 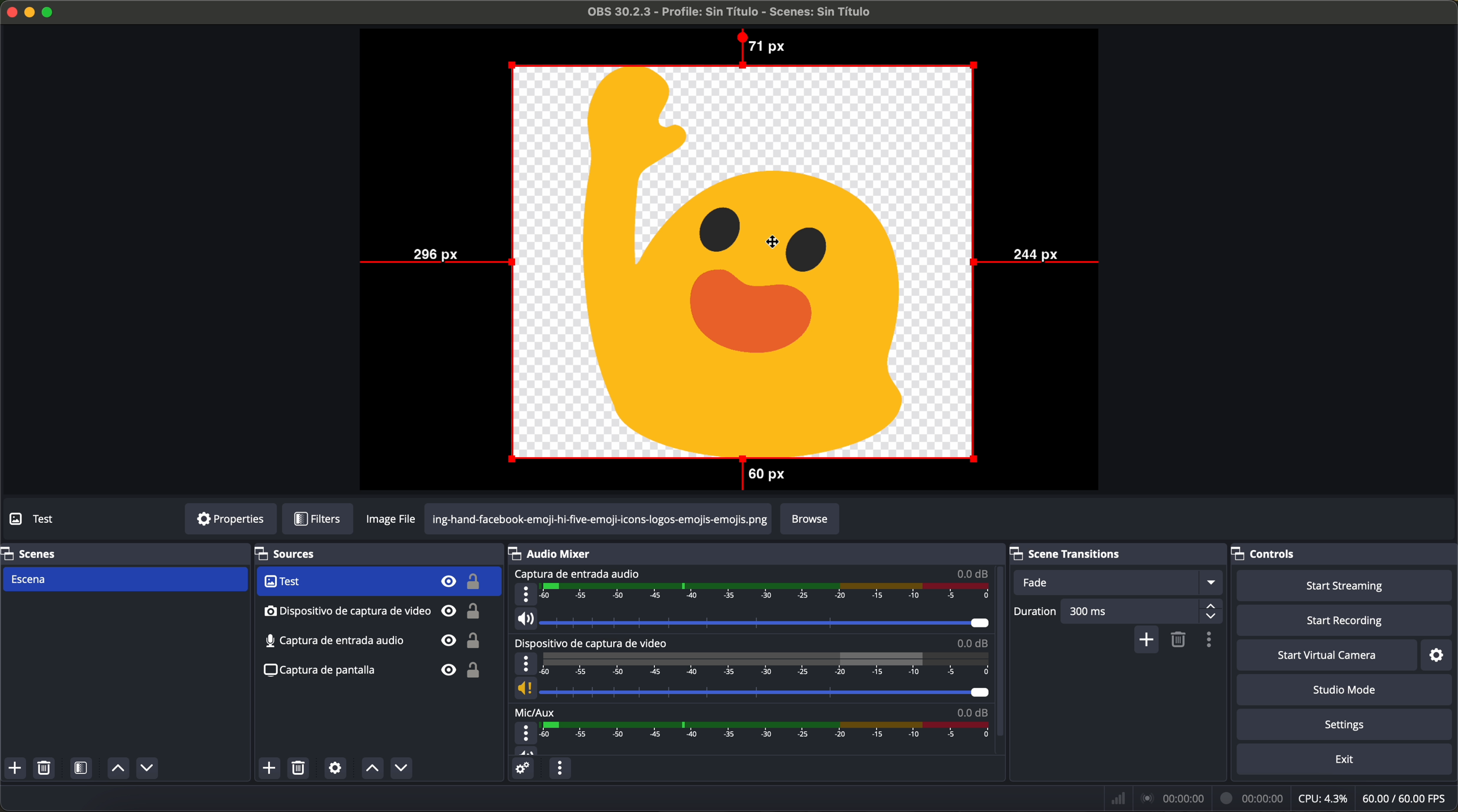 I want to click on video capture device, so click(x=595, y=643).